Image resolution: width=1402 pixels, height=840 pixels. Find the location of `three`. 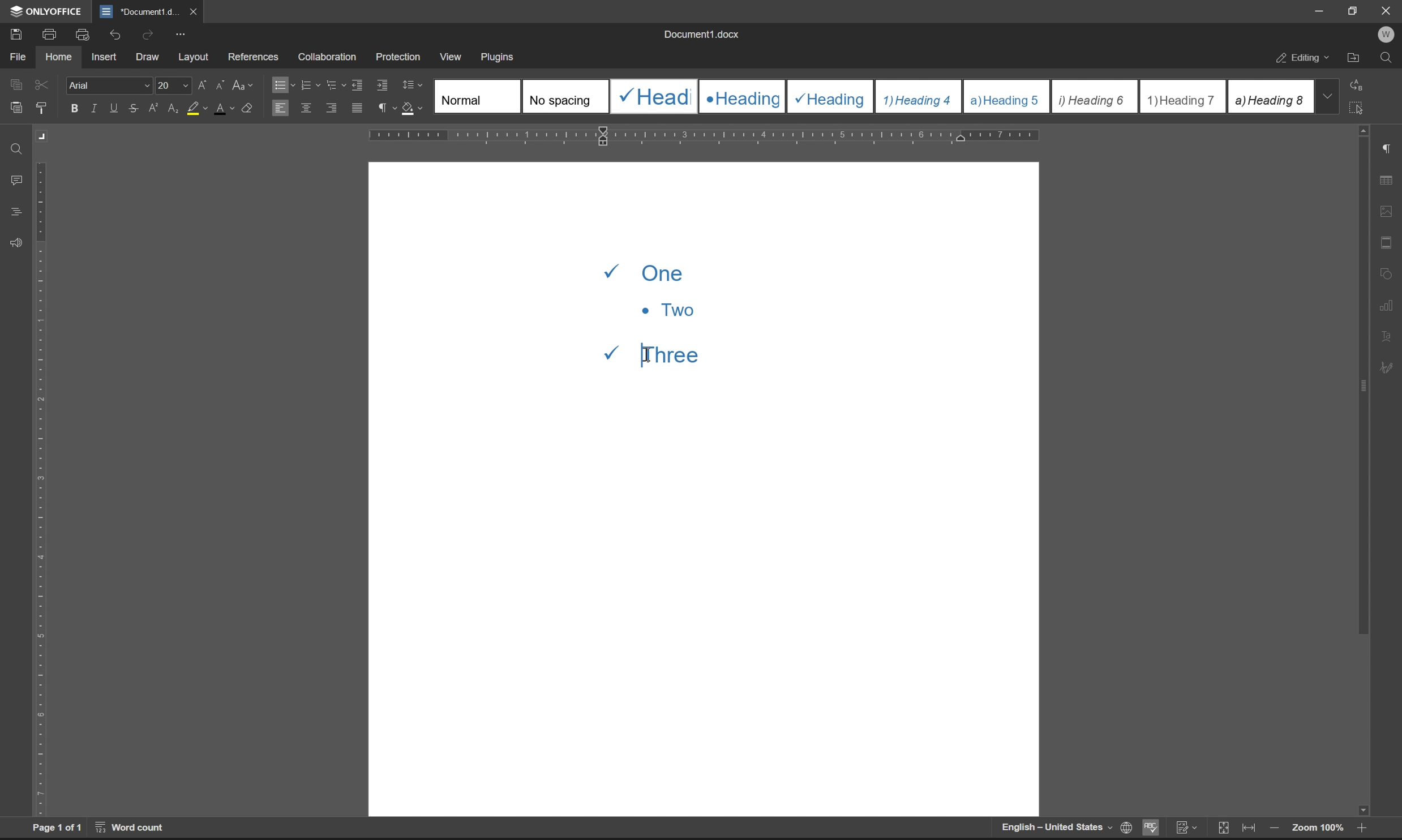

three is located at coordinates (663, 352).